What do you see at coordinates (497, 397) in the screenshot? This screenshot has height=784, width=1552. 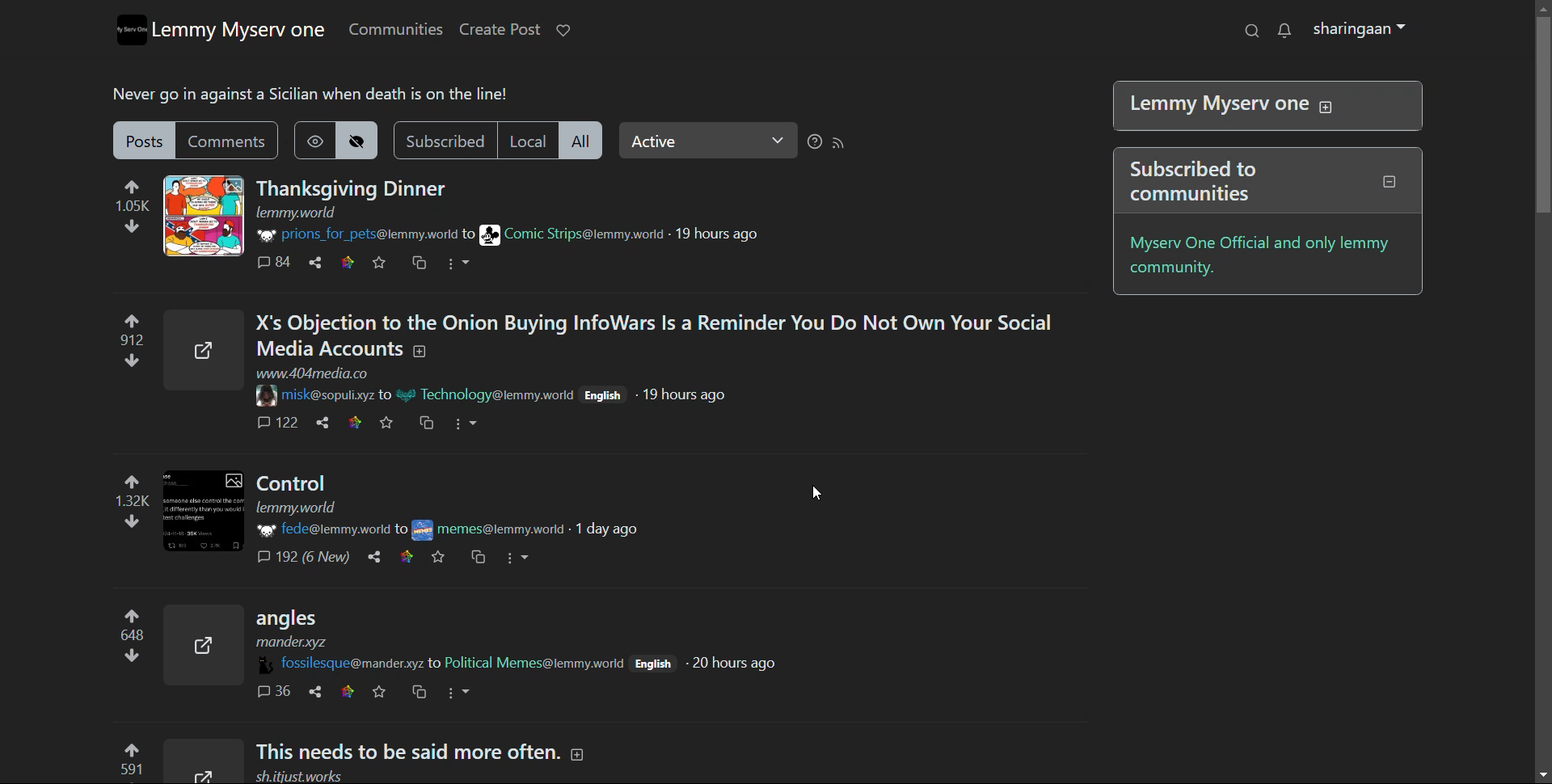 I see `Community` at bounding box center [497, 397].